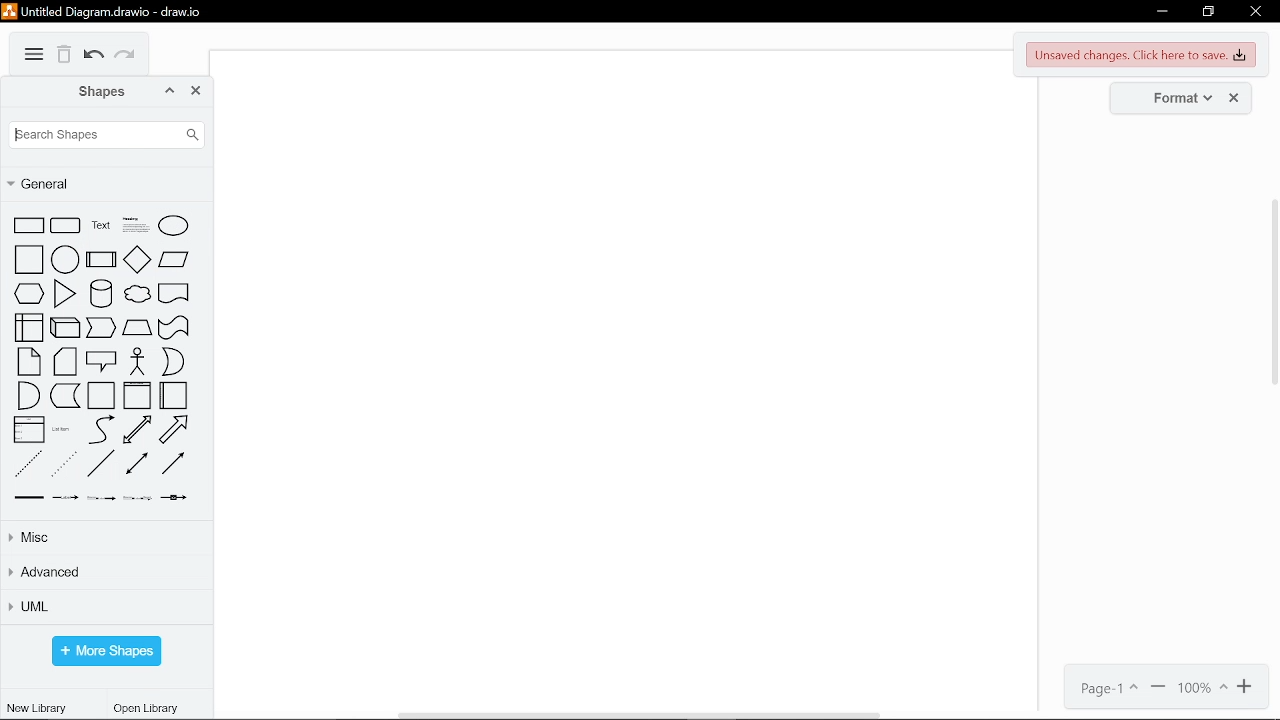  What do you see at coordinates (94, 57) in the screenshot?
I see `undo` at bounding box center [94, 57].